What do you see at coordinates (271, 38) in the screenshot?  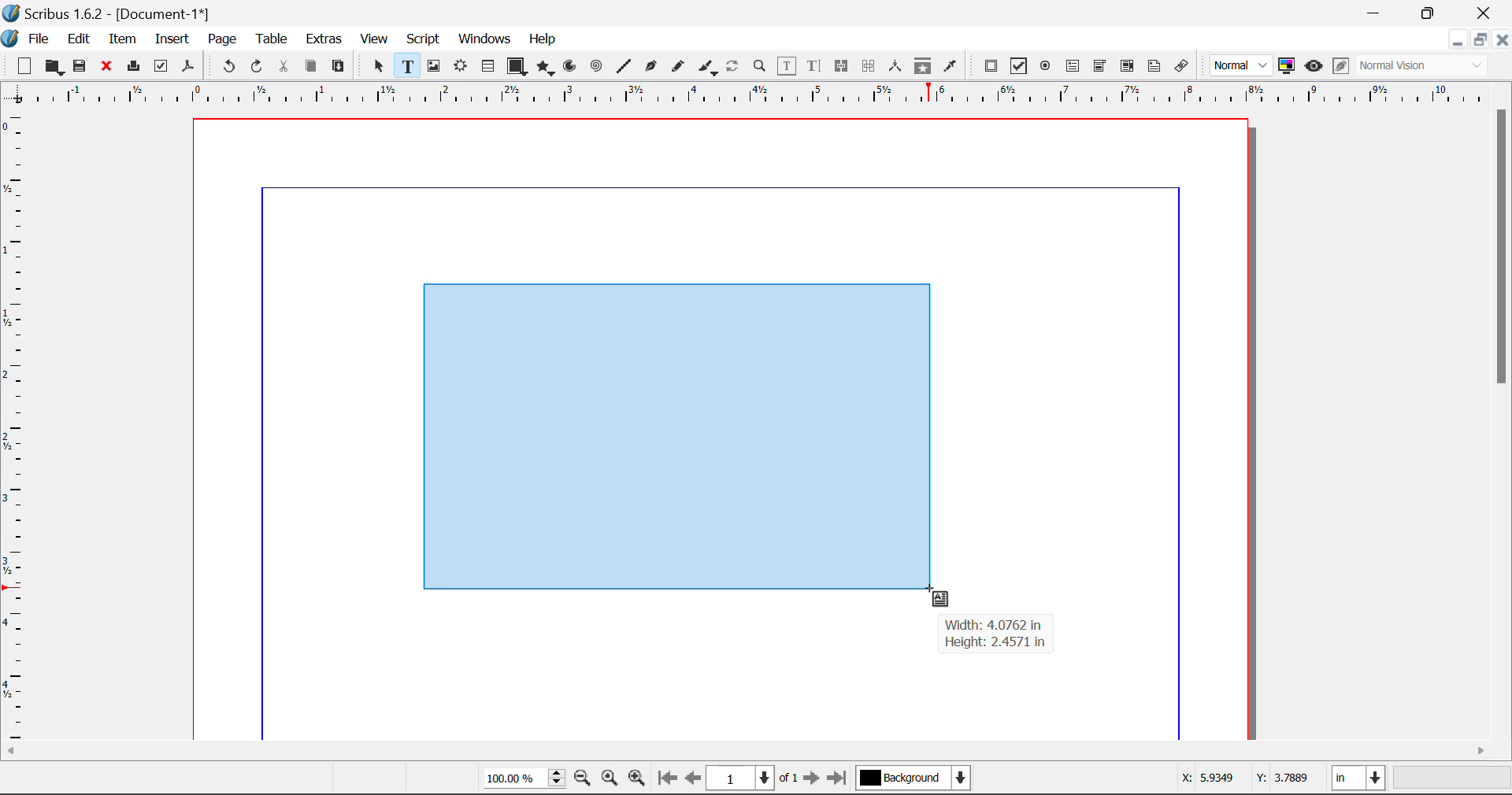 I see `Table` at bounding box center [271, 38].